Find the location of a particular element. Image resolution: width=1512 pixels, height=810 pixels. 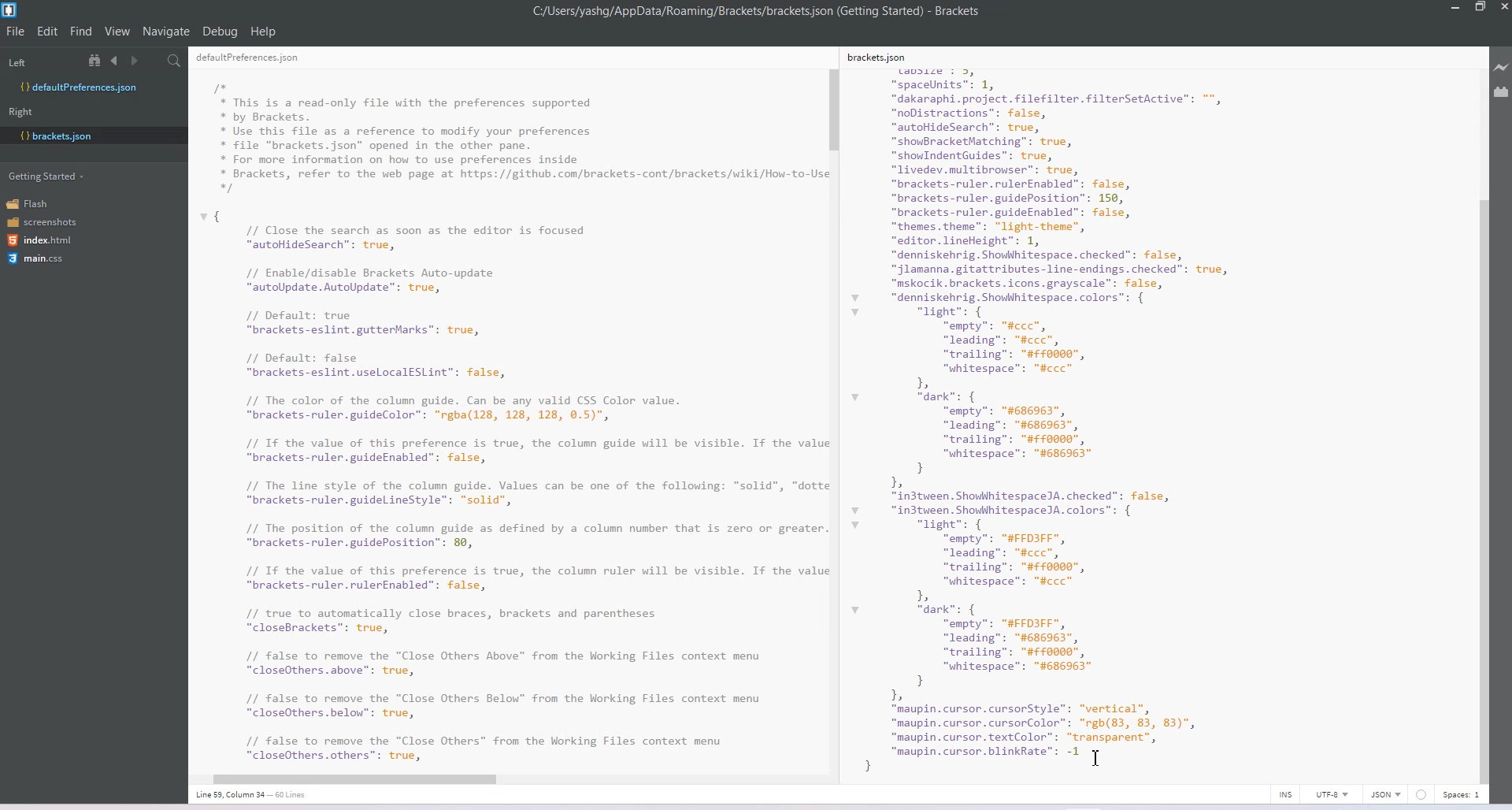

JSON is located at coordinates (1387, 794).